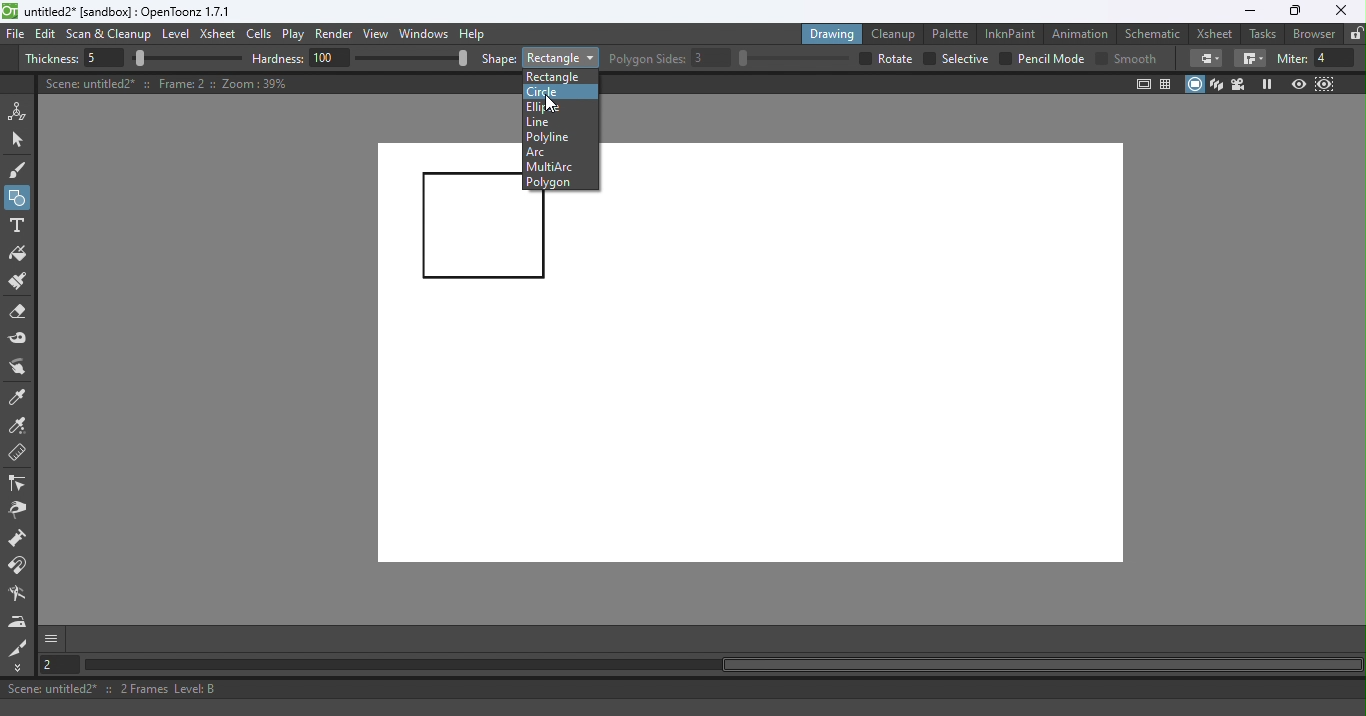 This screenshot has width=1366, height=716. What do you see at coordinates (712, 58) in the screenshot?
I see `3` at bounding box center [712, 58].